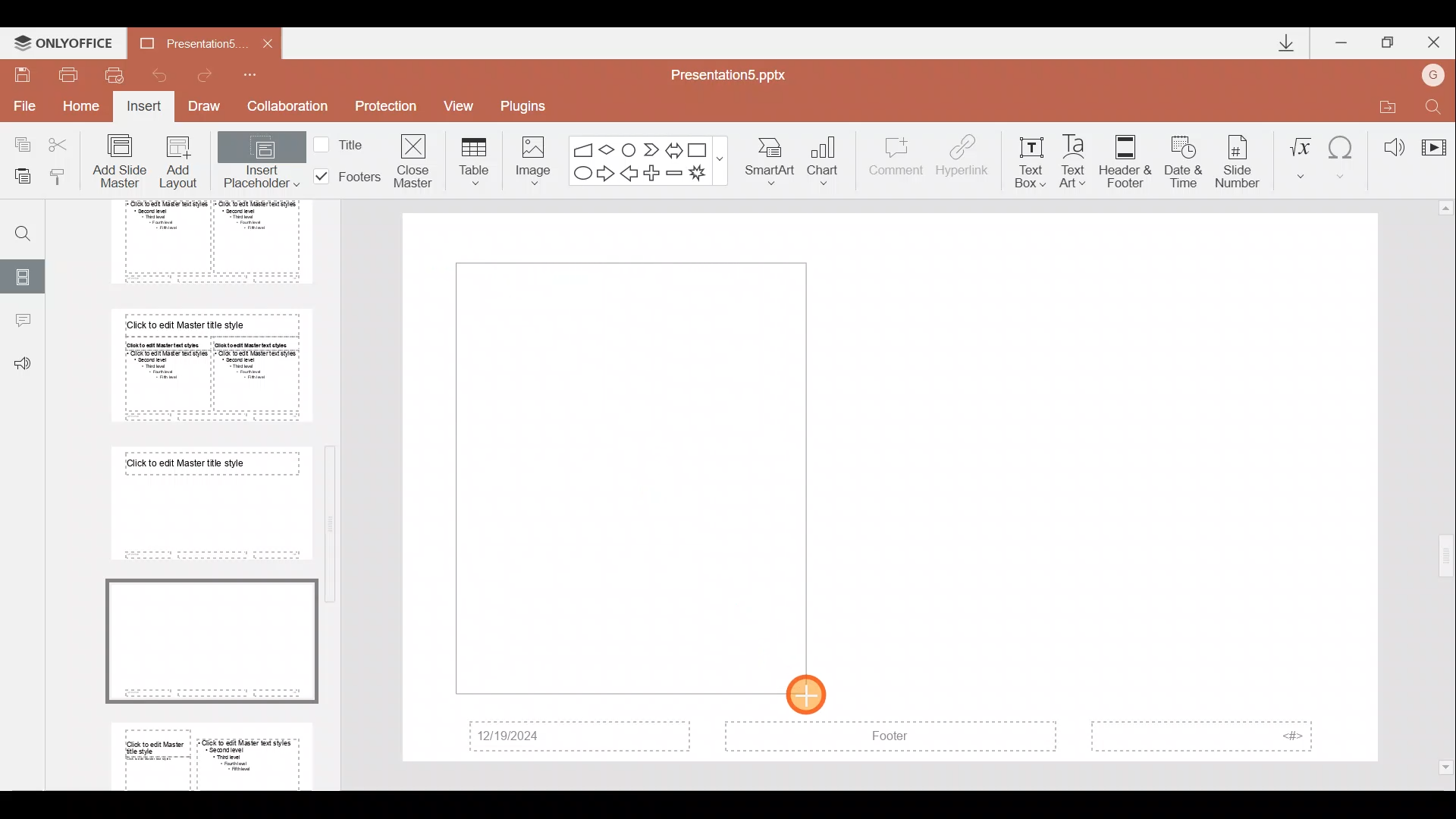 This screenshot has width=1456, height=819. I want to click on Print file, so click(69, 74).